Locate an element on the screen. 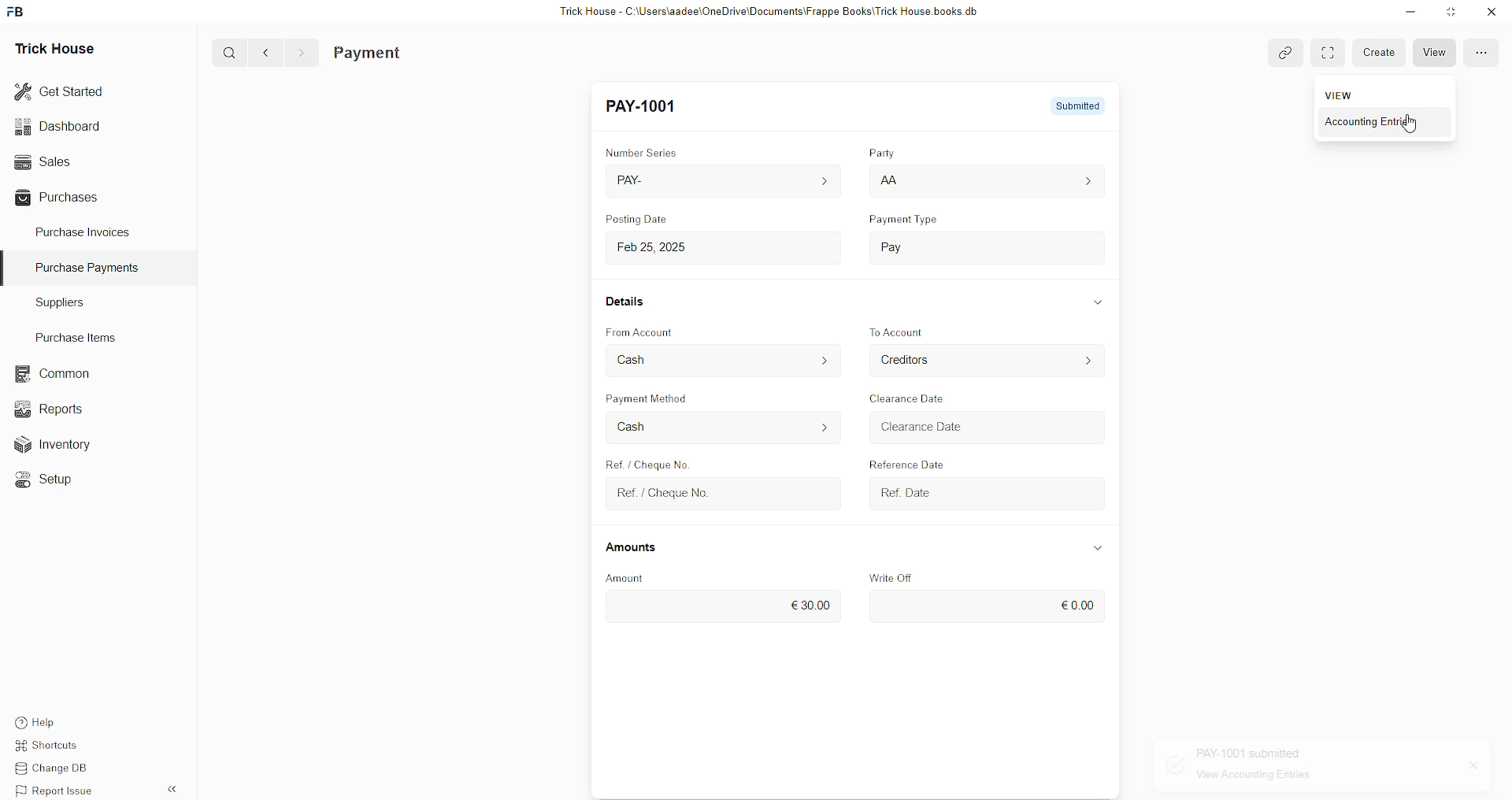 This screenshot has width=1512, height=800. to account is located at coordinates (913, 331).